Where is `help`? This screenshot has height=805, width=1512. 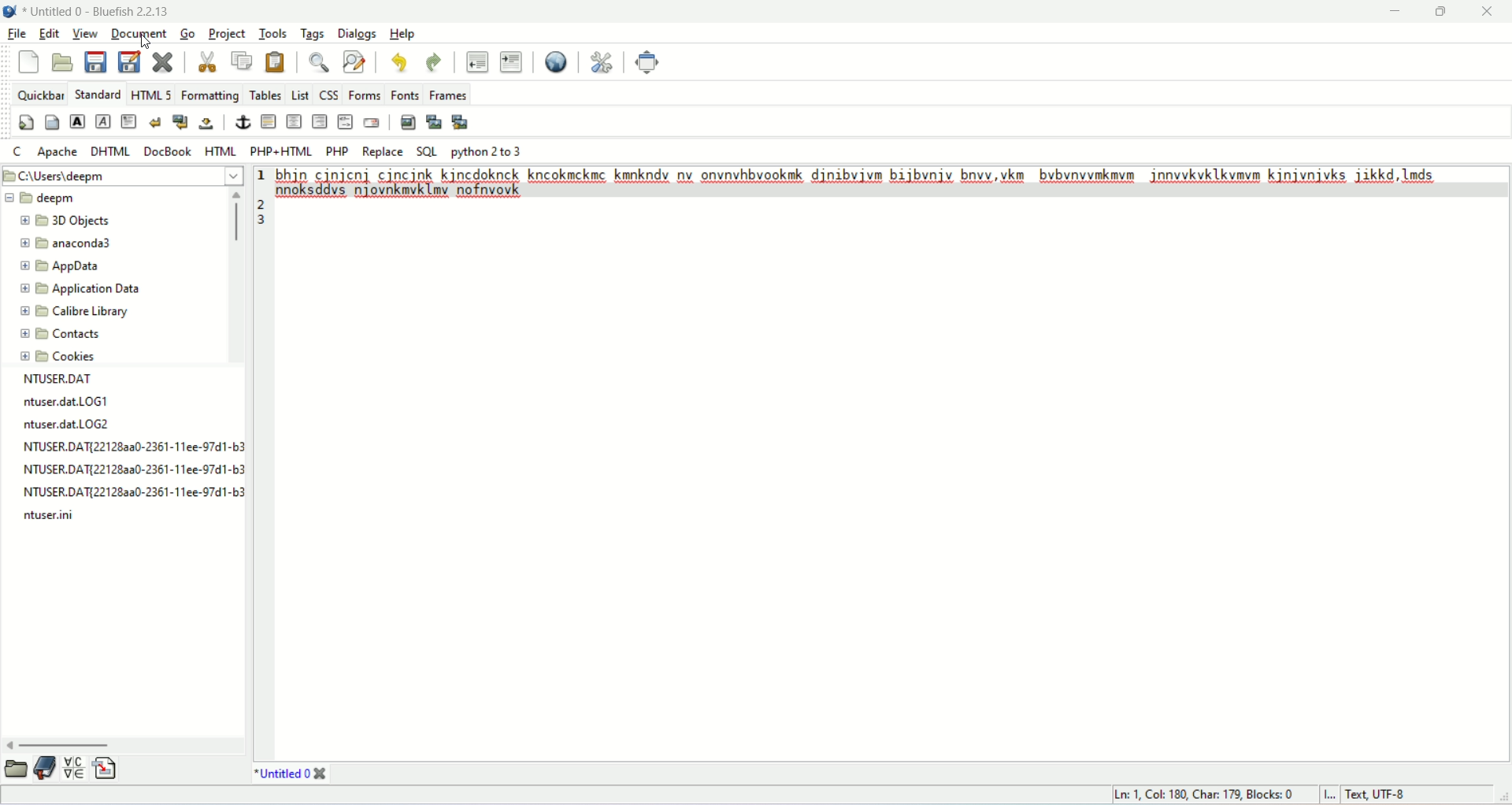
help is located at coordinates (402, 32).